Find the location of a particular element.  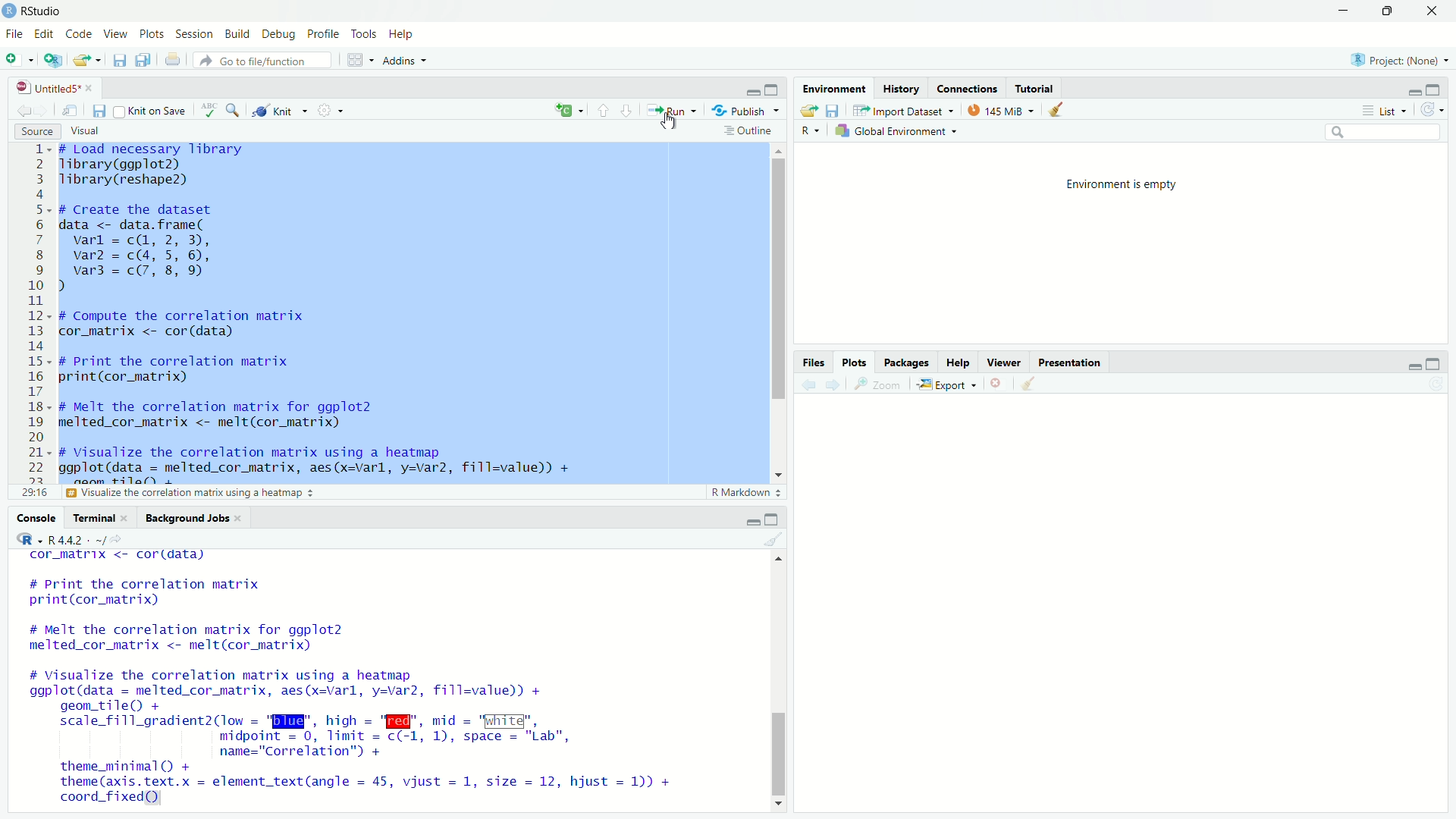

tools is located at coordinates (364, 35).